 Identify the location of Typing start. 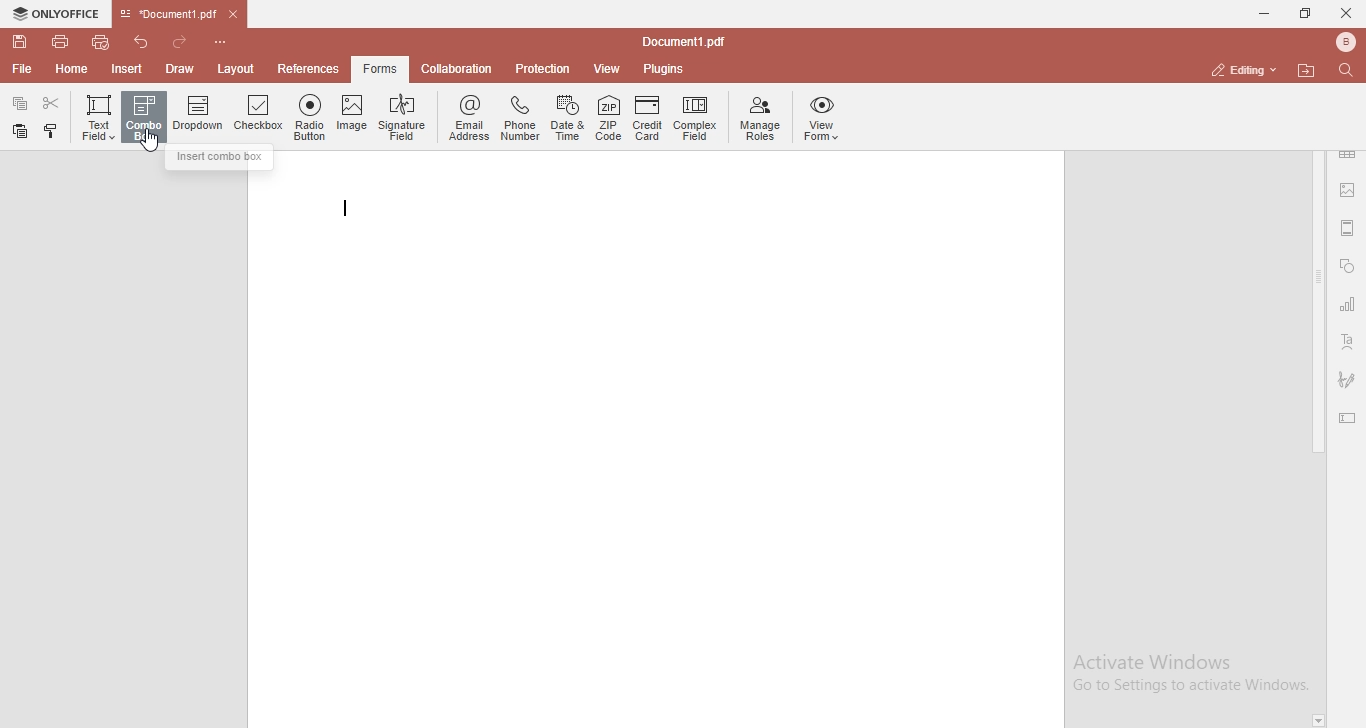
(351, 211).